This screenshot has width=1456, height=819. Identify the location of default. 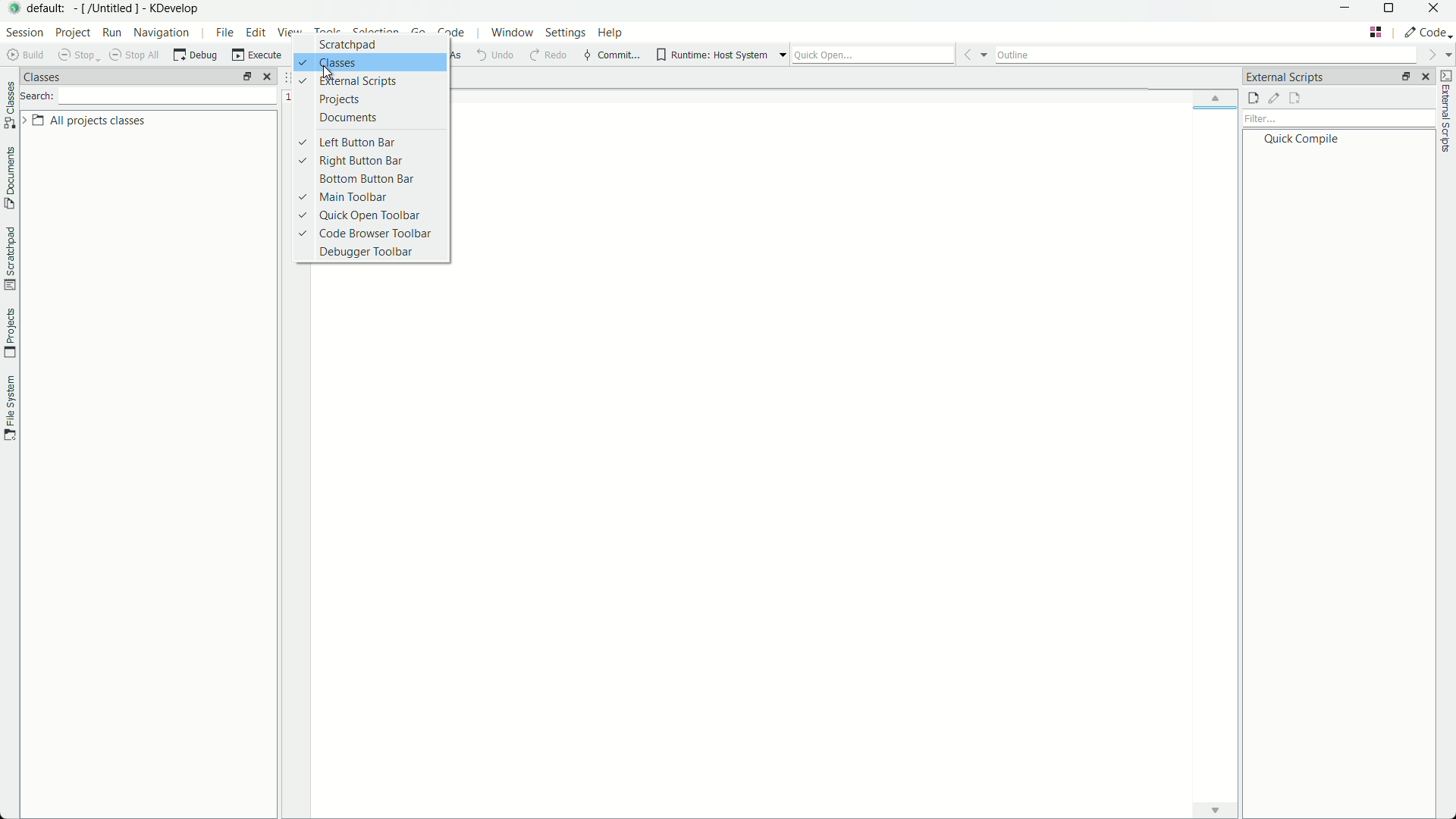
(48, 9).